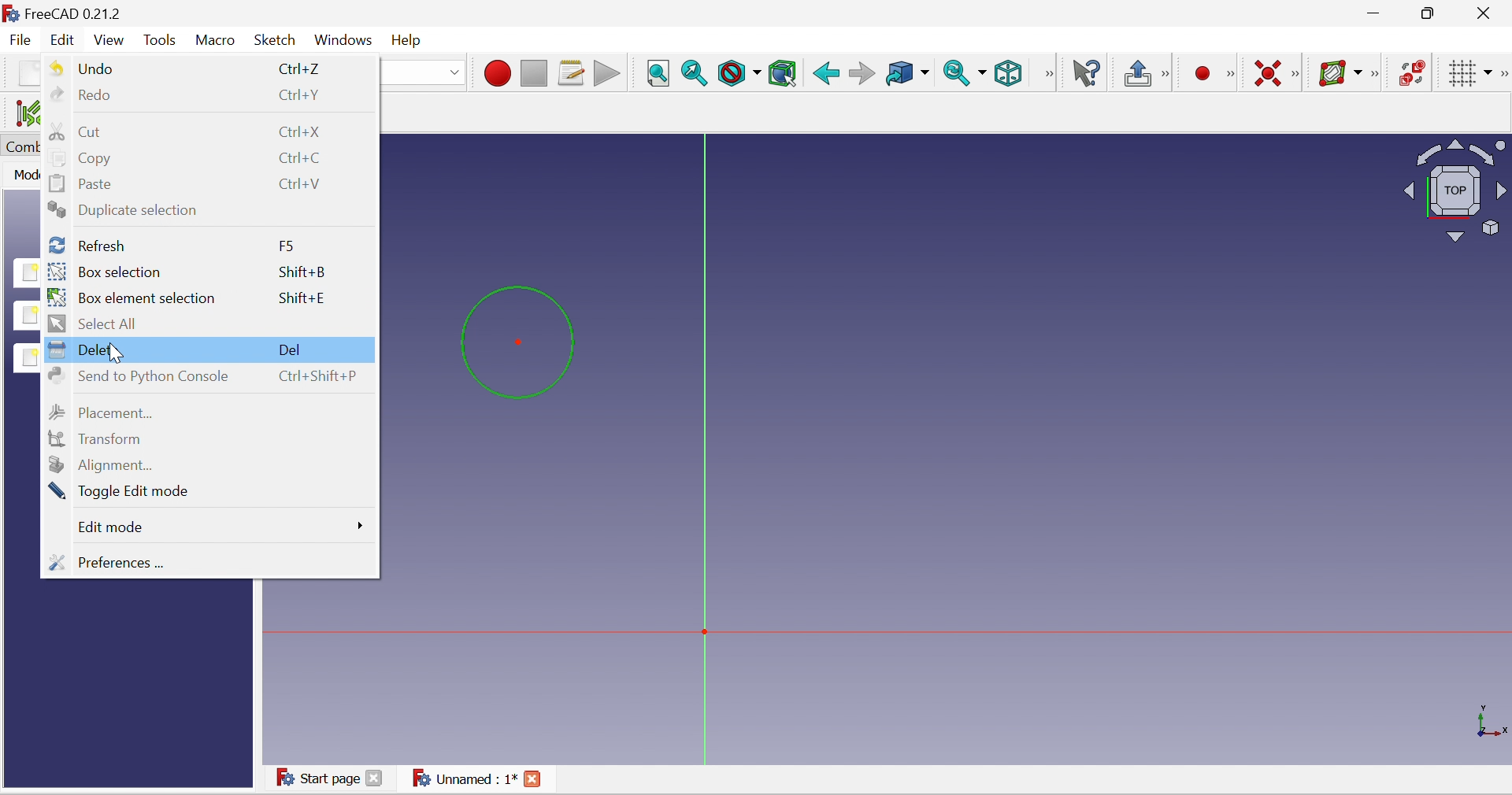 The width and height of the screenshot is (1512, 795). I want to click on Cut, so click(74, 131).